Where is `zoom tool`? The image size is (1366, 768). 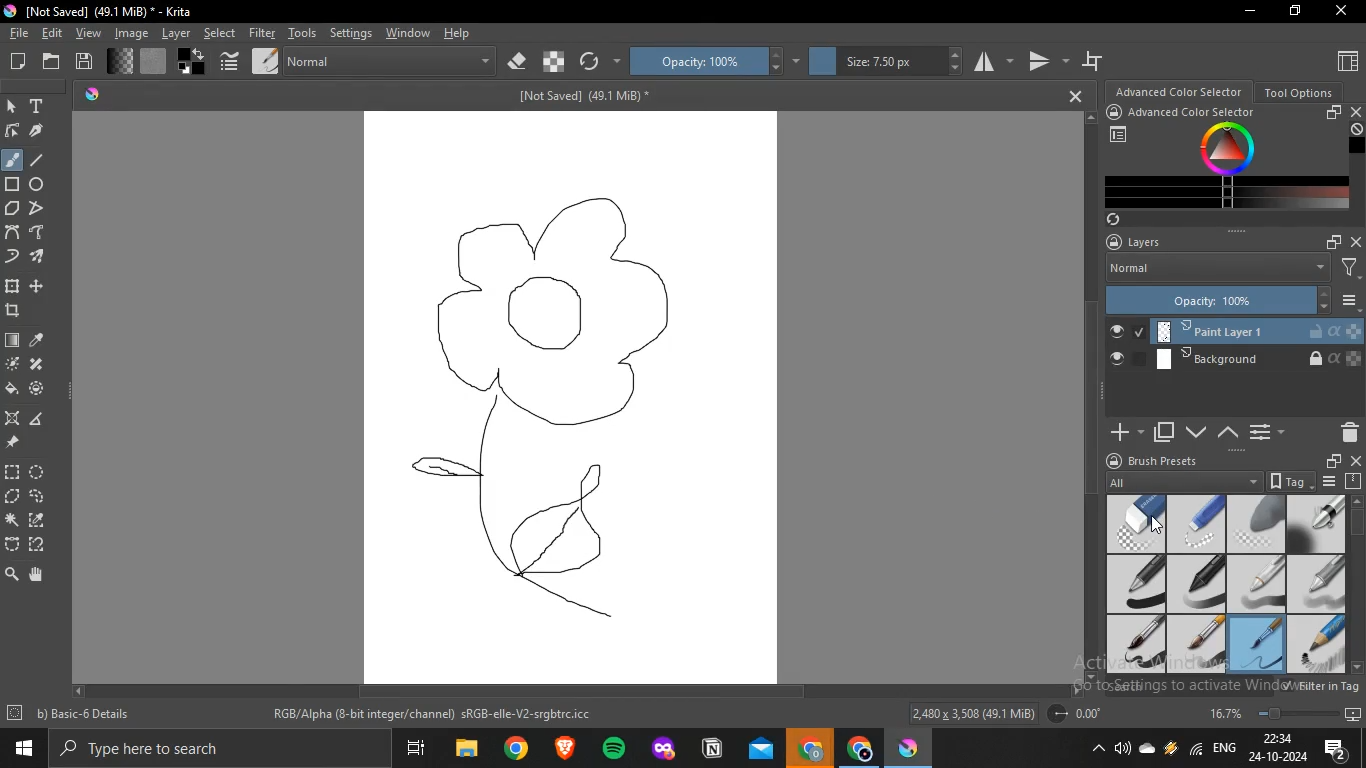
zoom tool is located at coordinates (11, 573).